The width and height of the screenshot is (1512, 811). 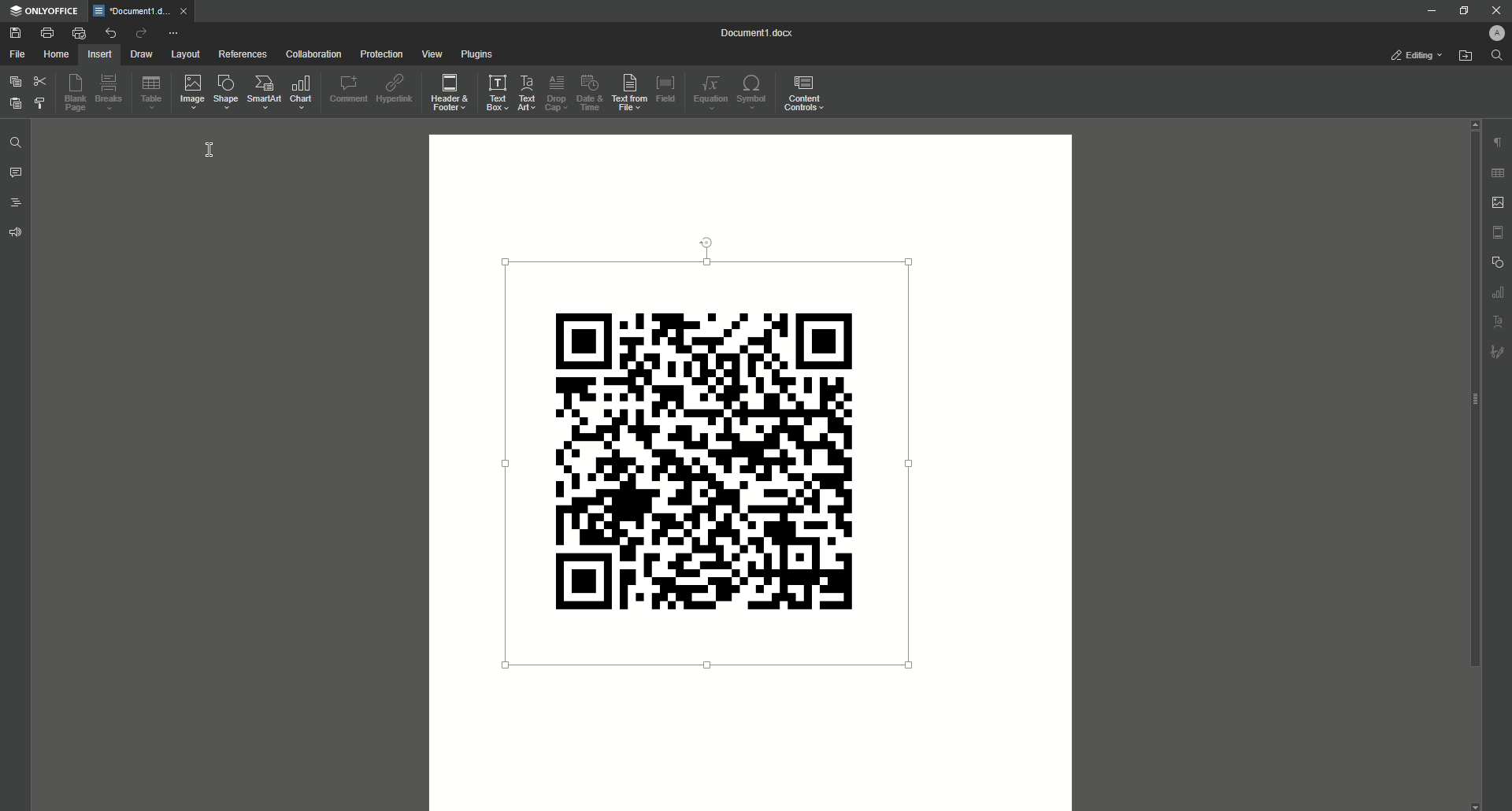 What do you see at coordinates (377, 54) in the screenshot?
I see `Protection` at bounding box center [377, 54].